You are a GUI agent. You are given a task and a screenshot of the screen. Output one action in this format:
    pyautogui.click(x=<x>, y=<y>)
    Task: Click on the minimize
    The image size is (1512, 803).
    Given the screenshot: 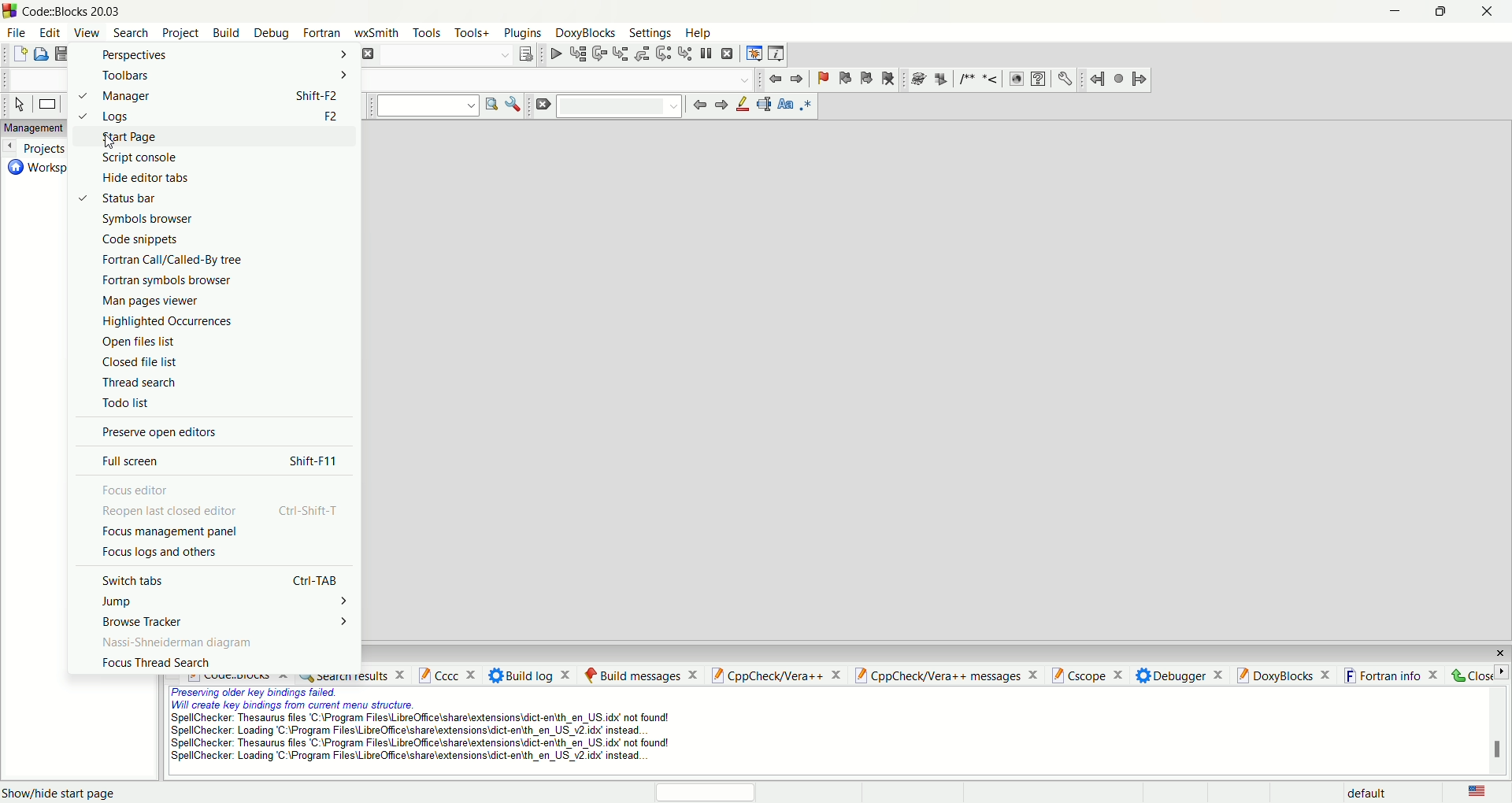 What is the action you would take?
    pyautogui.click(x=1392, y=14)
    